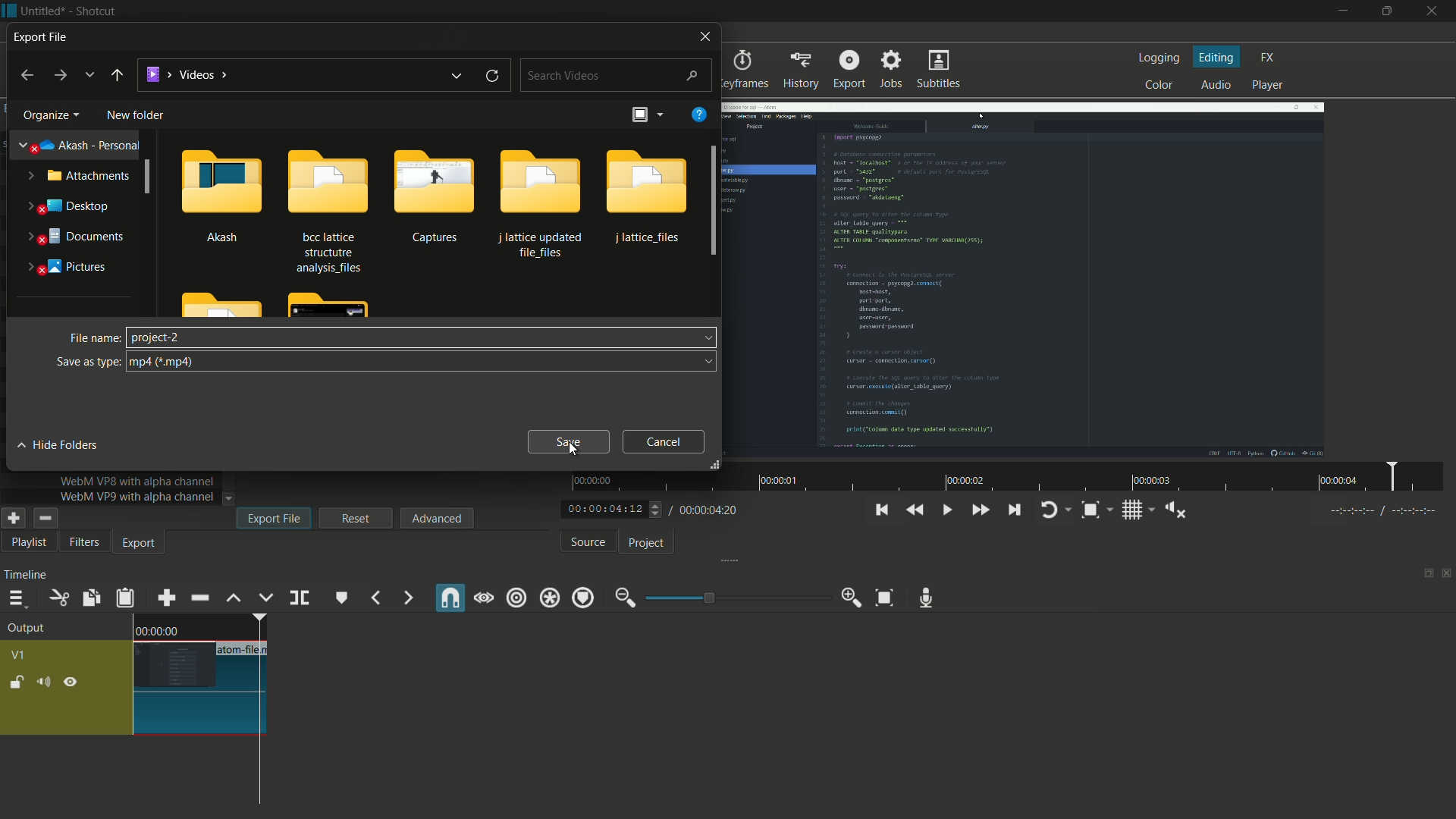 The height and width of the screenshot is (819, 1456). What do you see at coordinates (641, 114) in the screenshot?
I see `change the view` at bounding box center [641, 114].